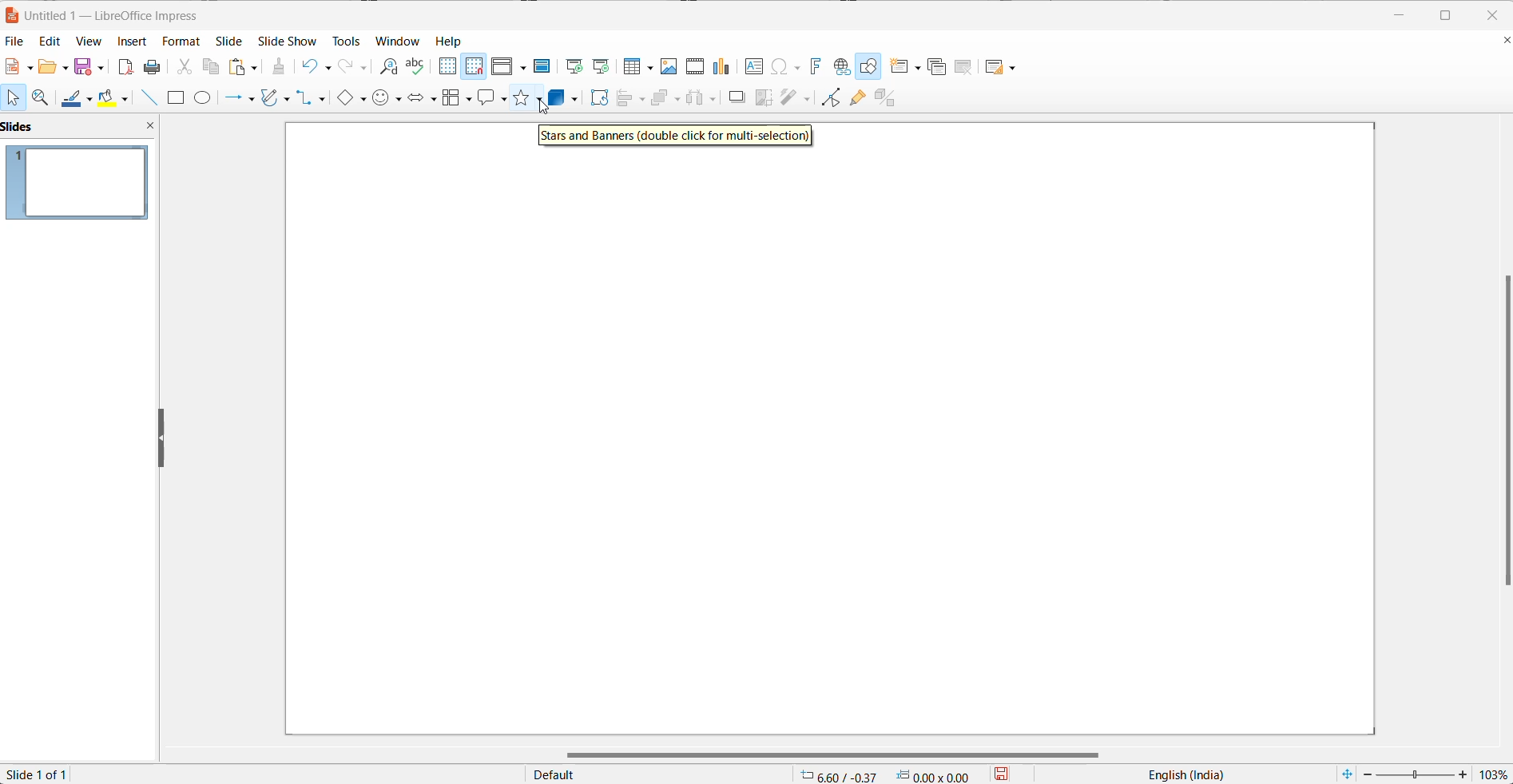 The width and height of the screenshot is (1513, 784). Describe the element at coordinates (46, 774) in the screenshot. I see `slide 1 of 1` at that location.